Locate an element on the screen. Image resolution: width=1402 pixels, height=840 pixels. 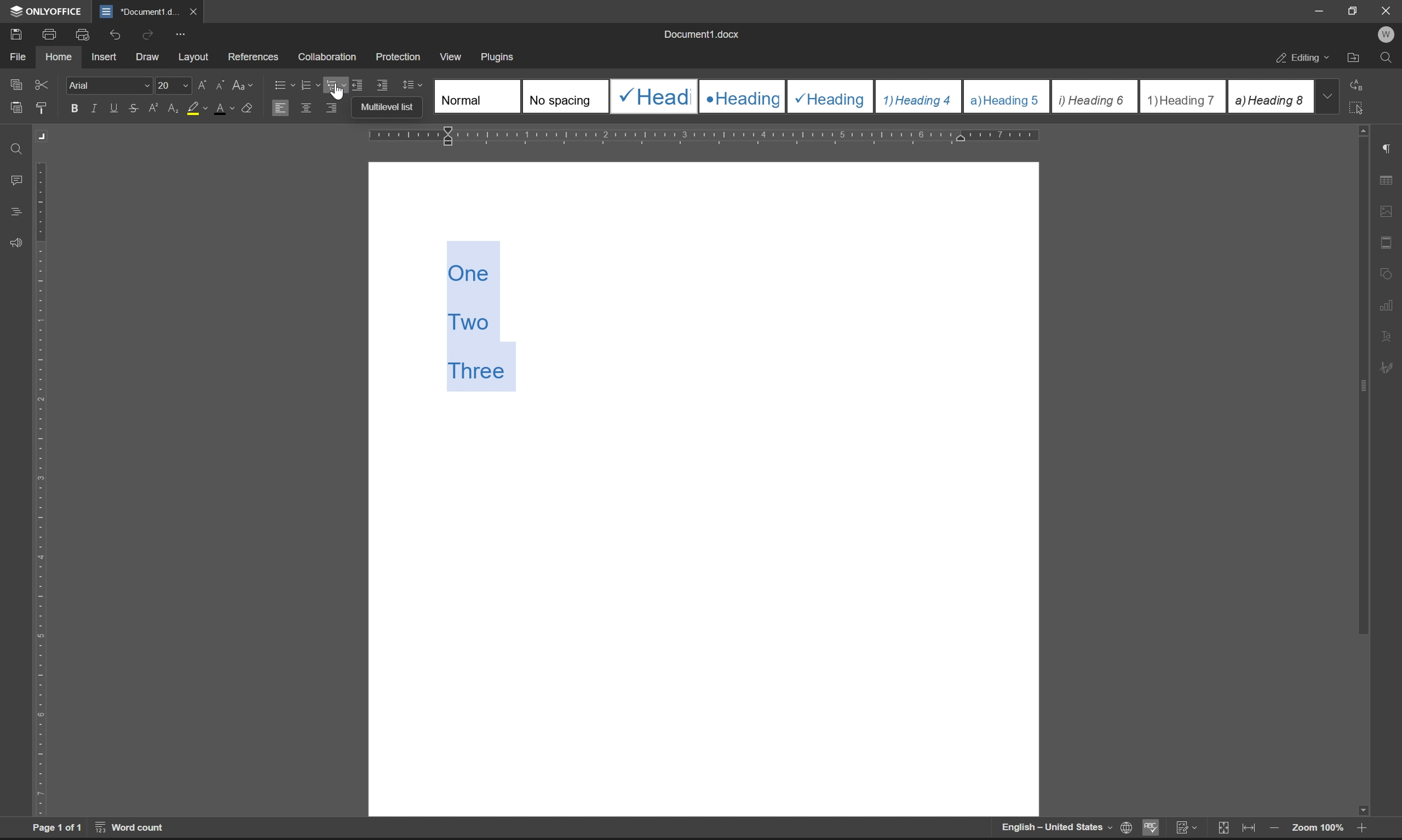
Heading 7 is located at coordinates (1183, 97).